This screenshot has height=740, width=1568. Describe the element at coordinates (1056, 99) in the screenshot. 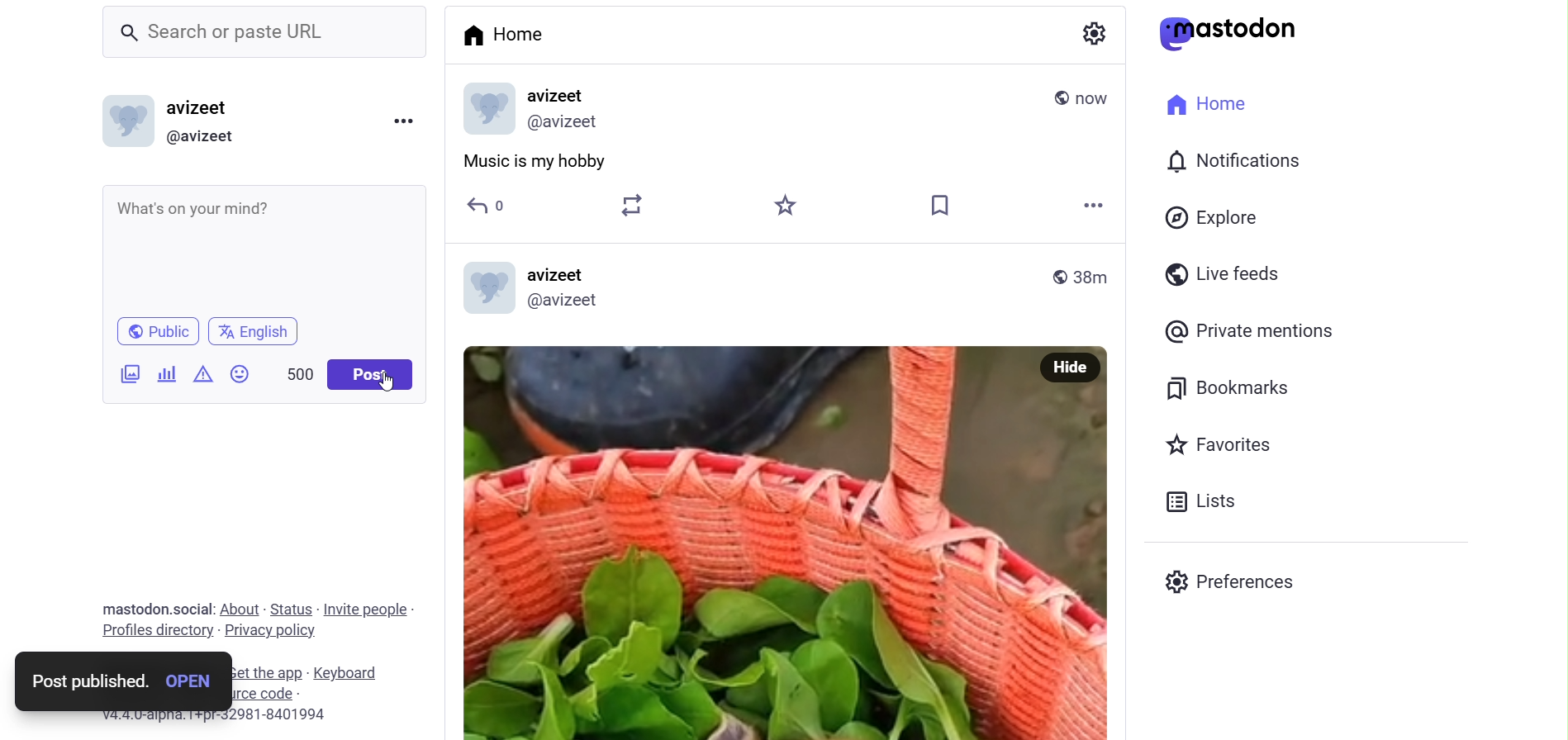

I see `public post` at that location.